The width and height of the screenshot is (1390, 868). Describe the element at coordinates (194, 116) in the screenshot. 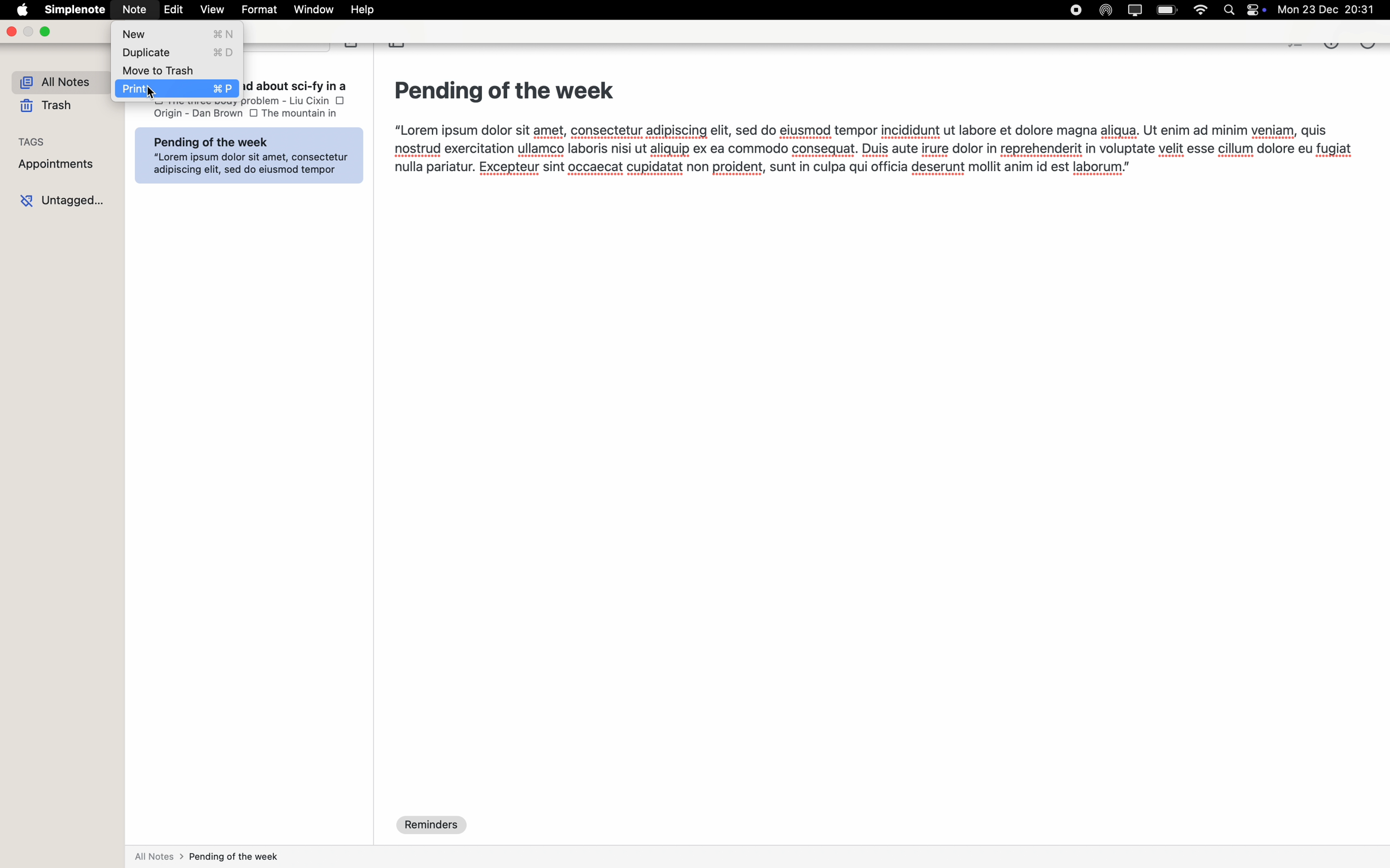

I see `Origin - Dan Brown` at that location.